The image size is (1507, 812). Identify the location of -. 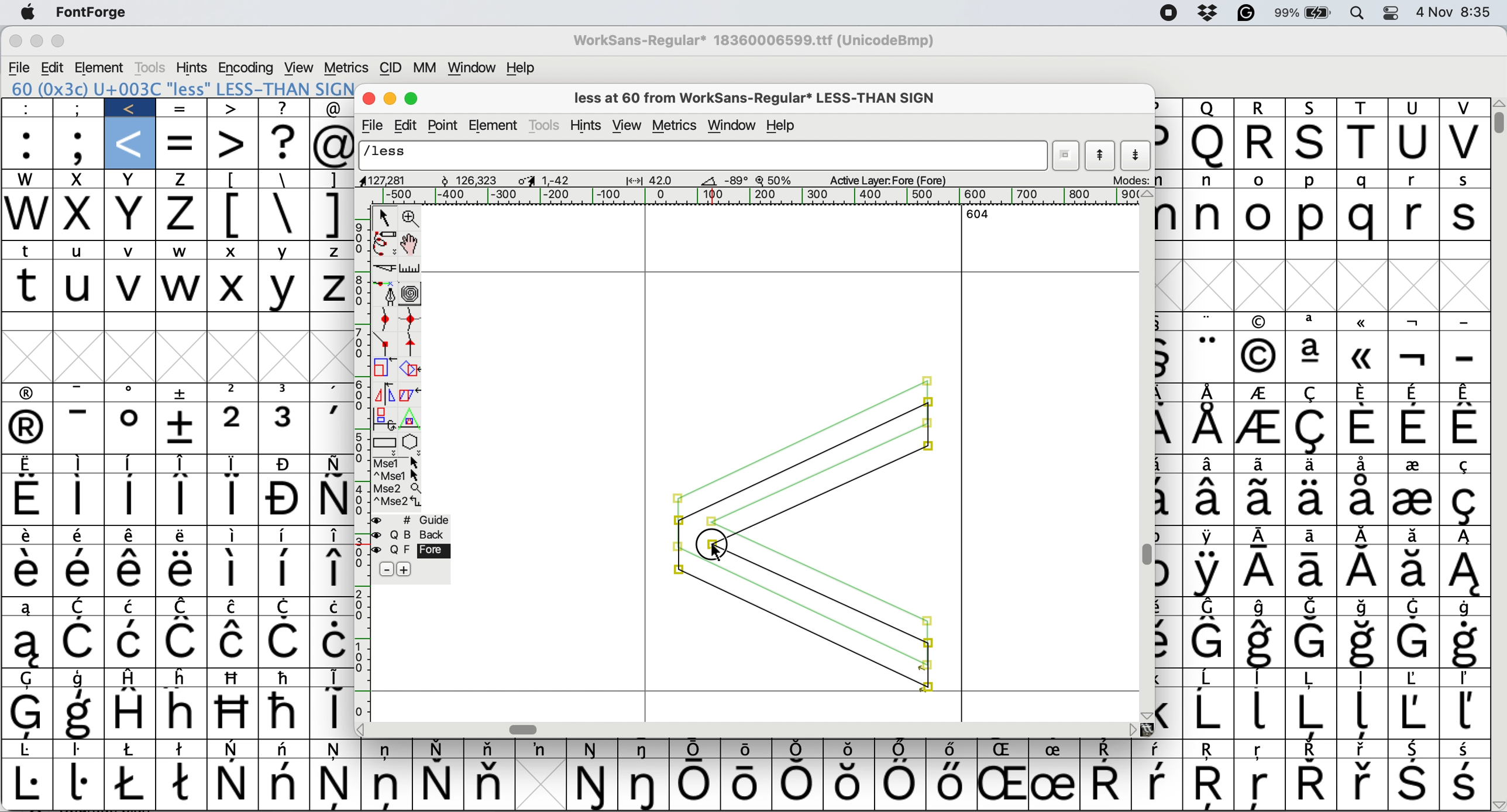
(83, 428).